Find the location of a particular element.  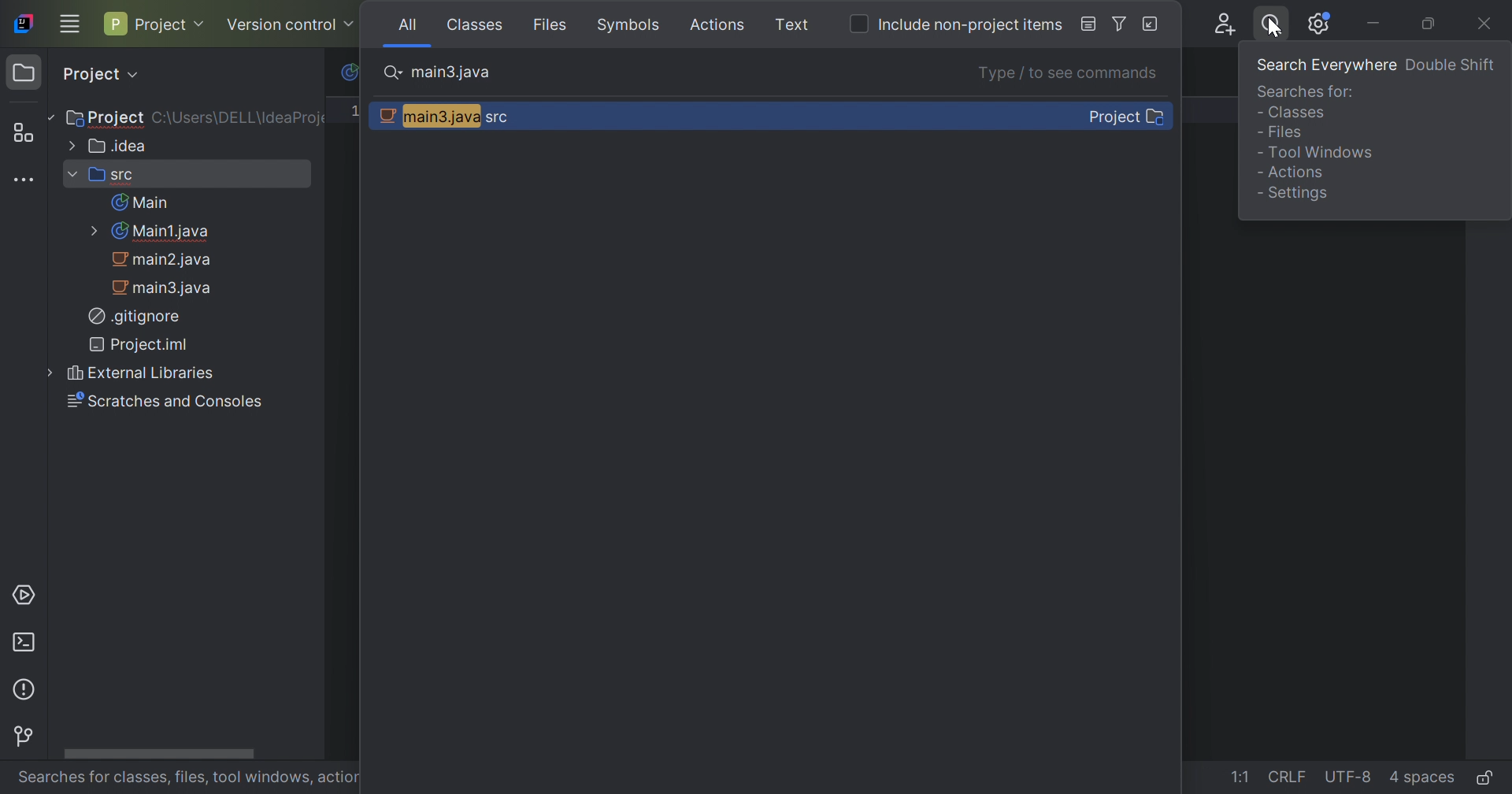

Problems is located at coordinates (28, 692).